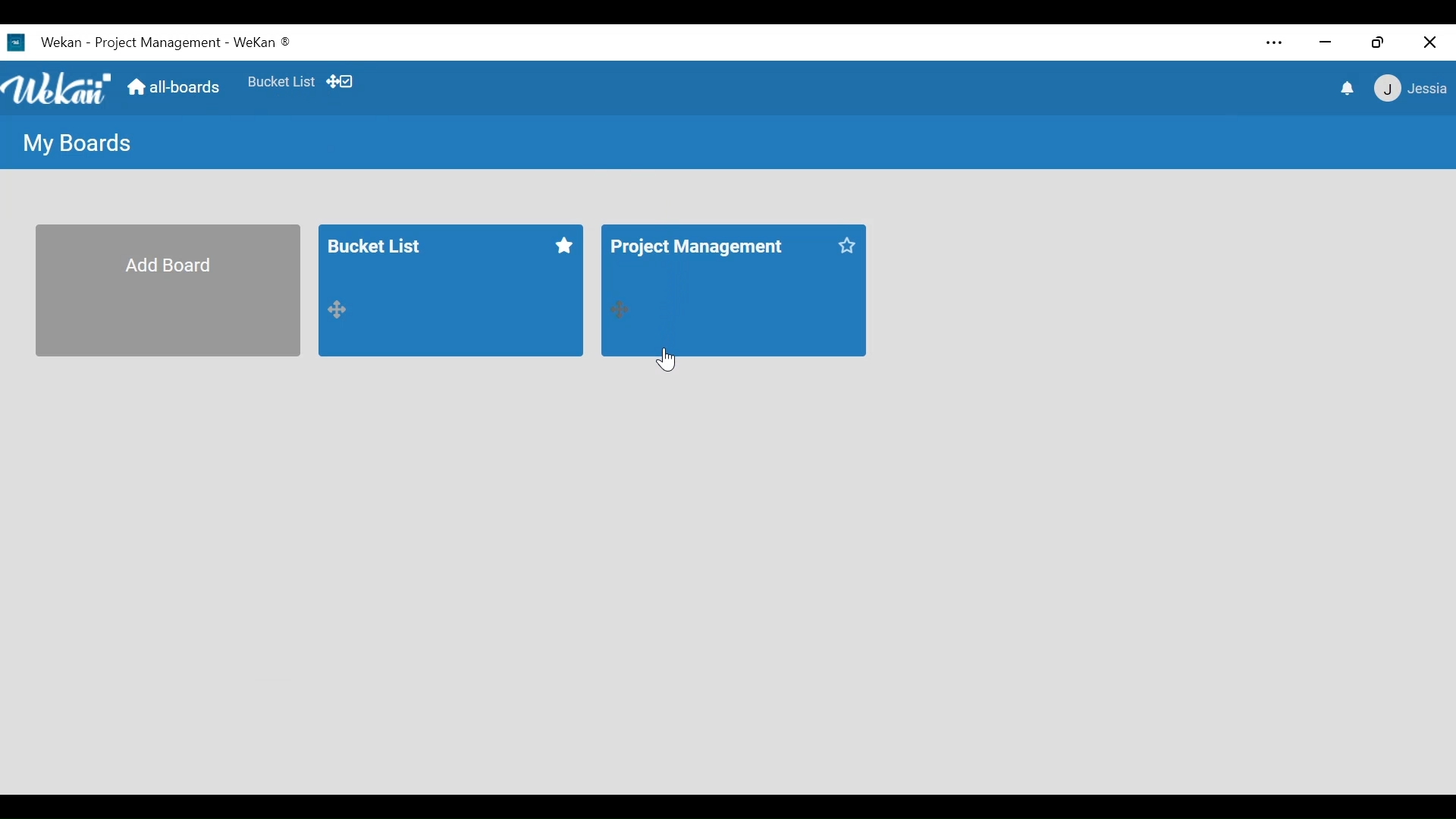  I want to click on Restore, so click(1376, 42).